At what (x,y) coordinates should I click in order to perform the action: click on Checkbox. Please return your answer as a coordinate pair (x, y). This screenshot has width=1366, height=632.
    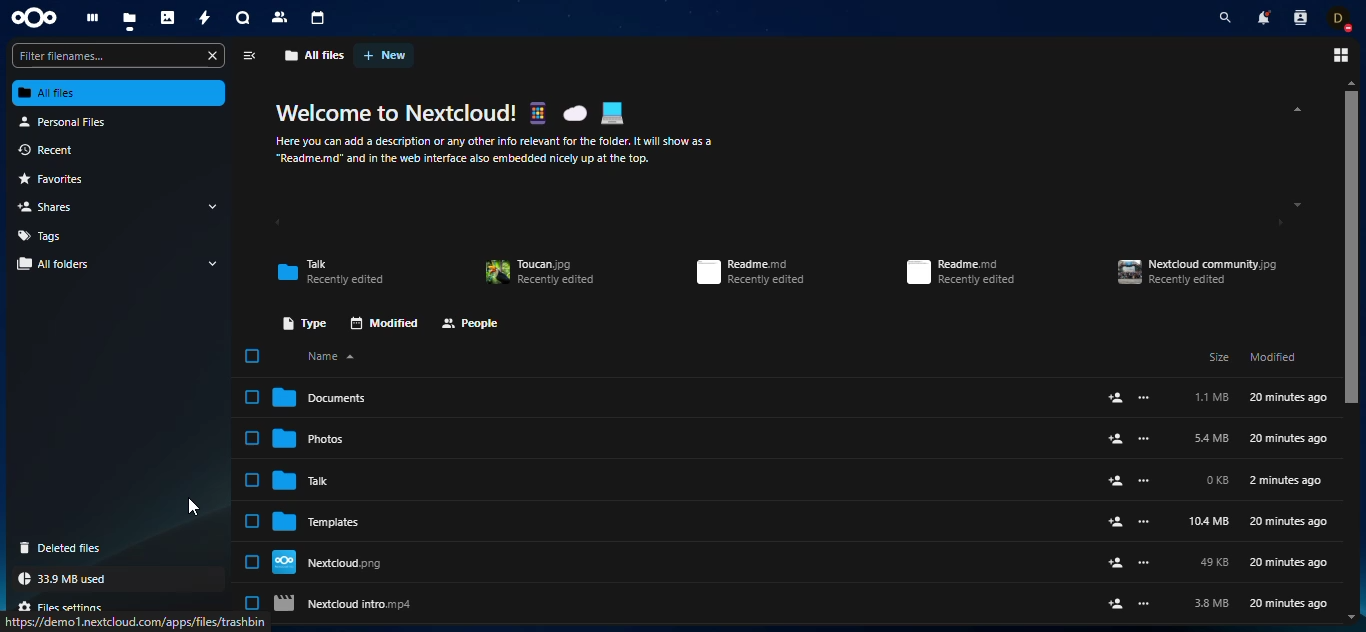
    Looking at the image, I should click on (249, 521).